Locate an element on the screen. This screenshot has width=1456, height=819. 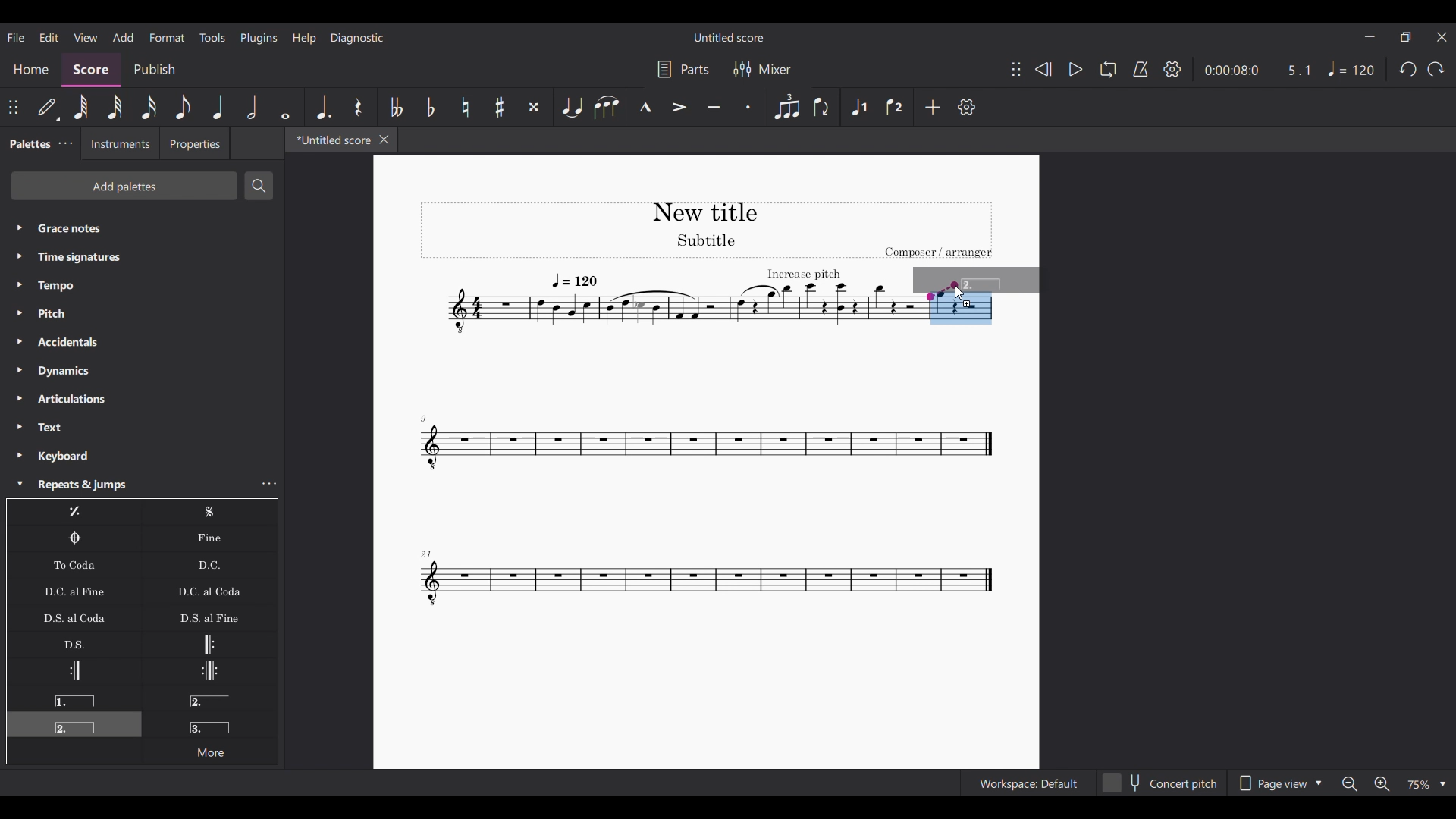
Tempo is located at coordinates (142, 286).